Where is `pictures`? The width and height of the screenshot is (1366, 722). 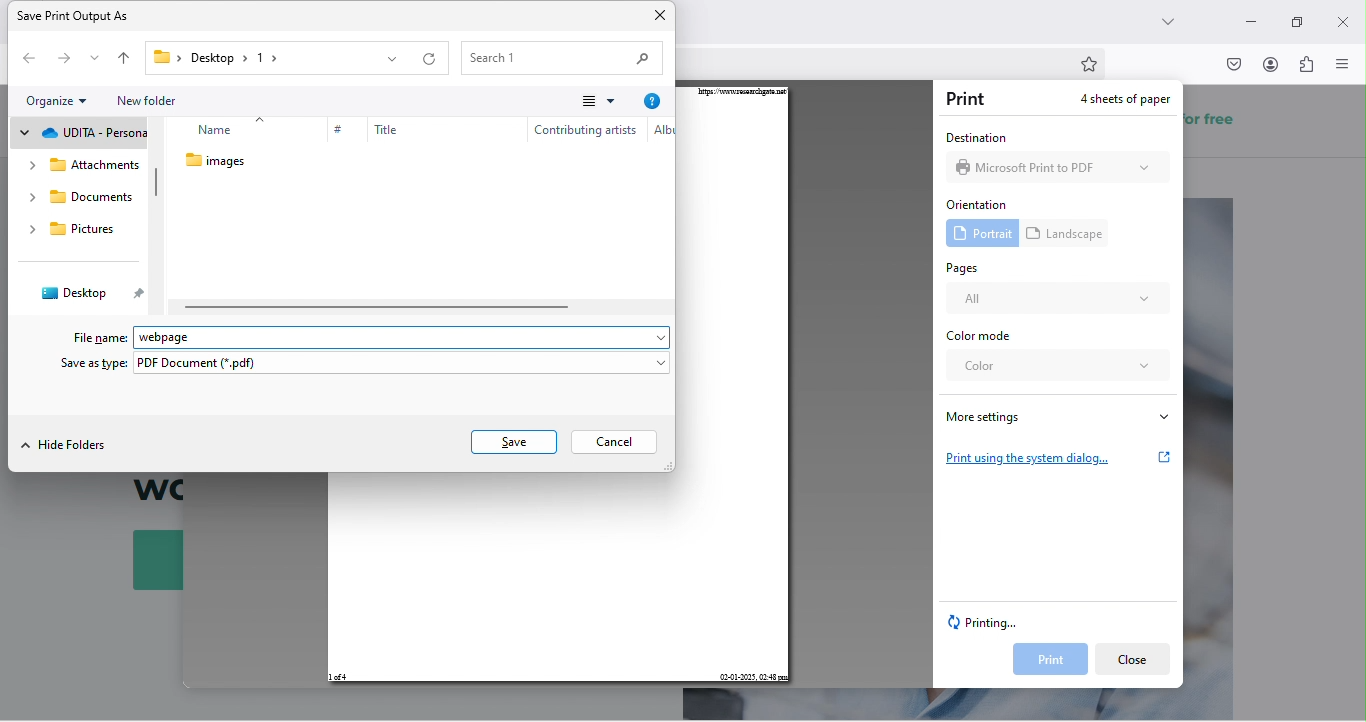 pictures is located at coordinates (88, 133).